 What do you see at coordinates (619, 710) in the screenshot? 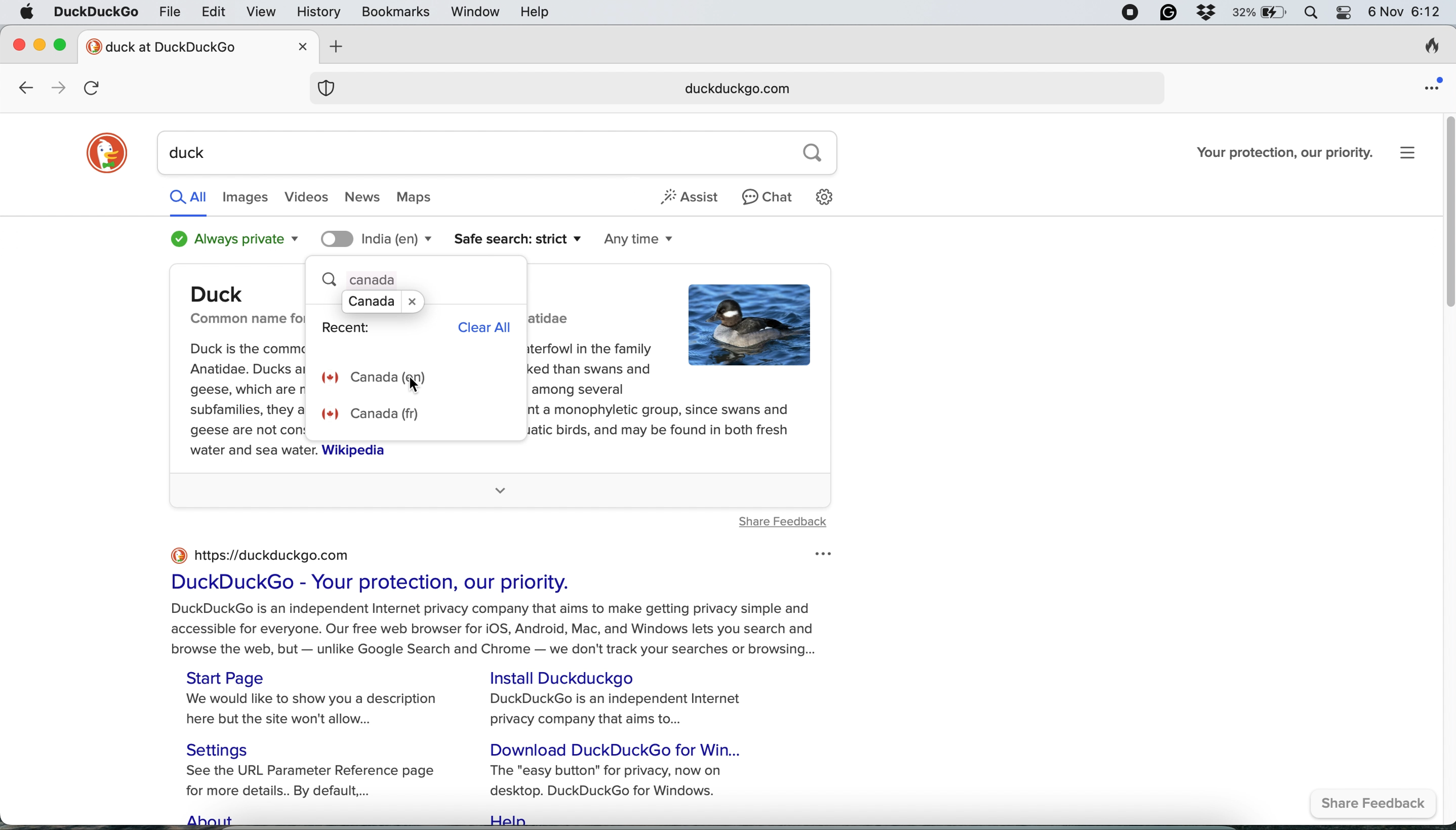
I see `DuckDuckGo is an independent Internet
privacy company that aims to...` at bounding box center [619, 710].